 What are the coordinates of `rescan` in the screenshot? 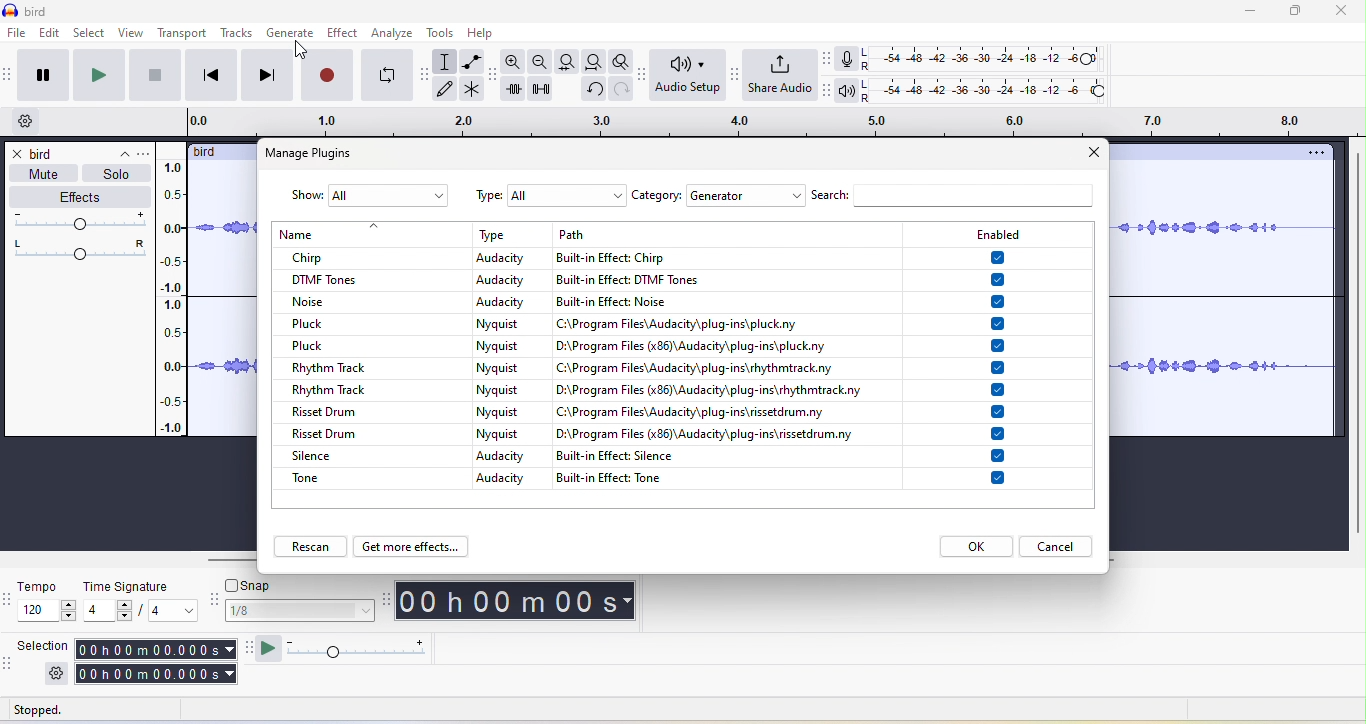 It's located at (313, 545).